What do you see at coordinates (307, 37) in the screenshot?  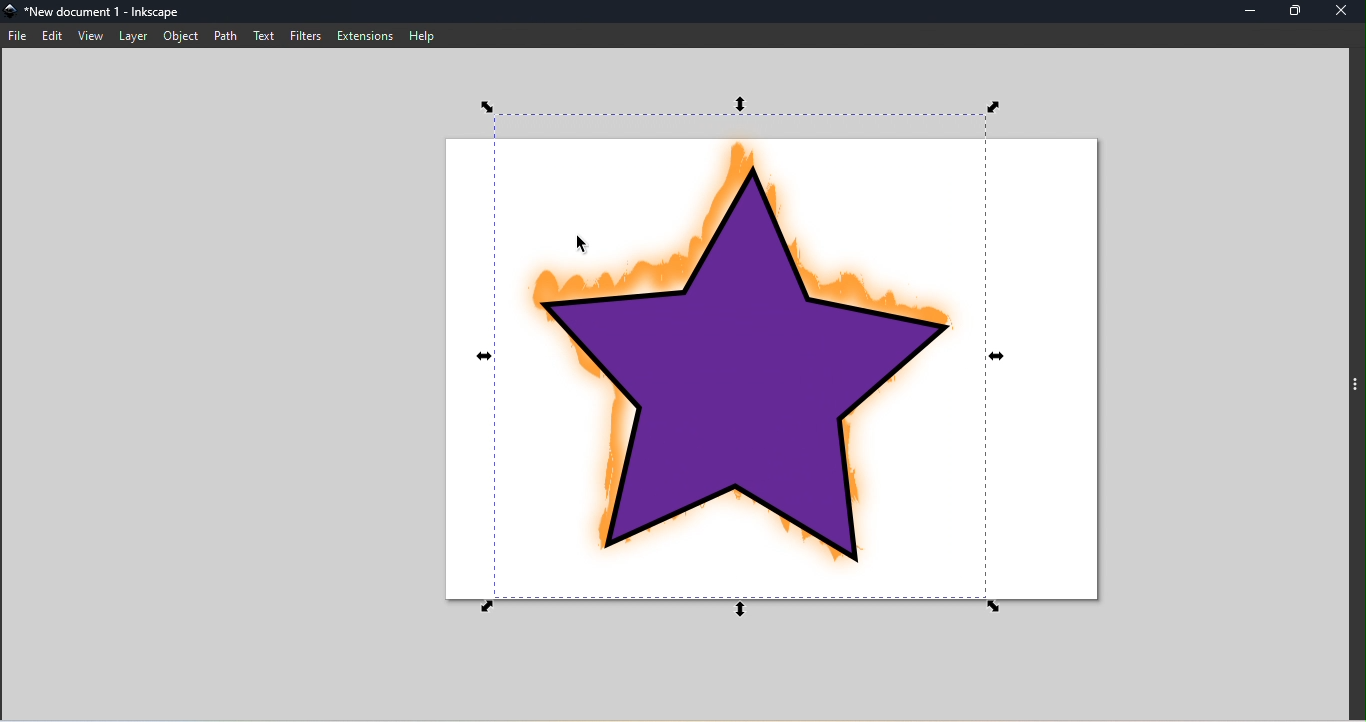 I see `Filters` at bounding box center [307, 37].